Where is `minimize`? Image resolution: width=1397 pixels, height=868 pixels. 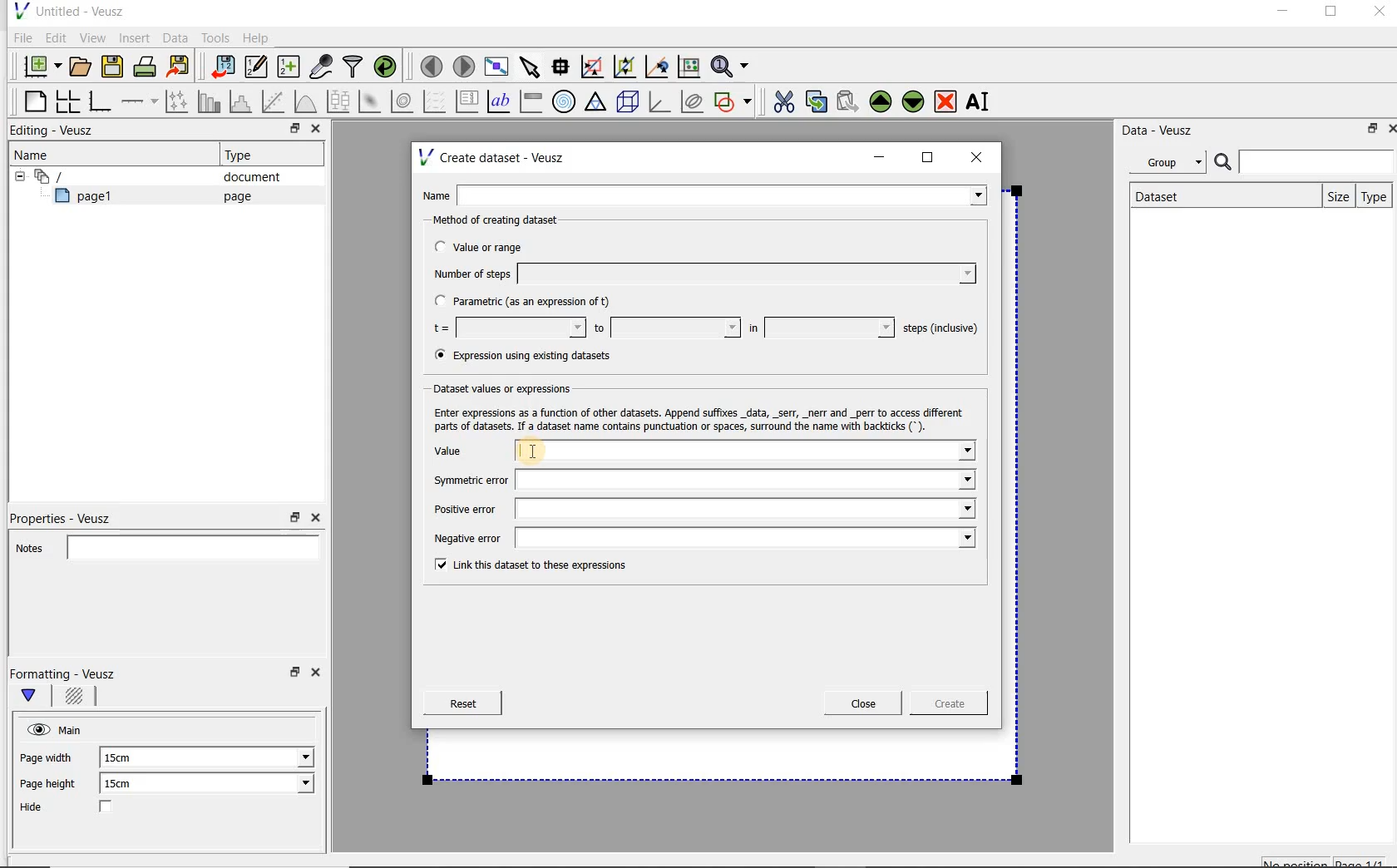 minimize is located at coordinates (880, 157).